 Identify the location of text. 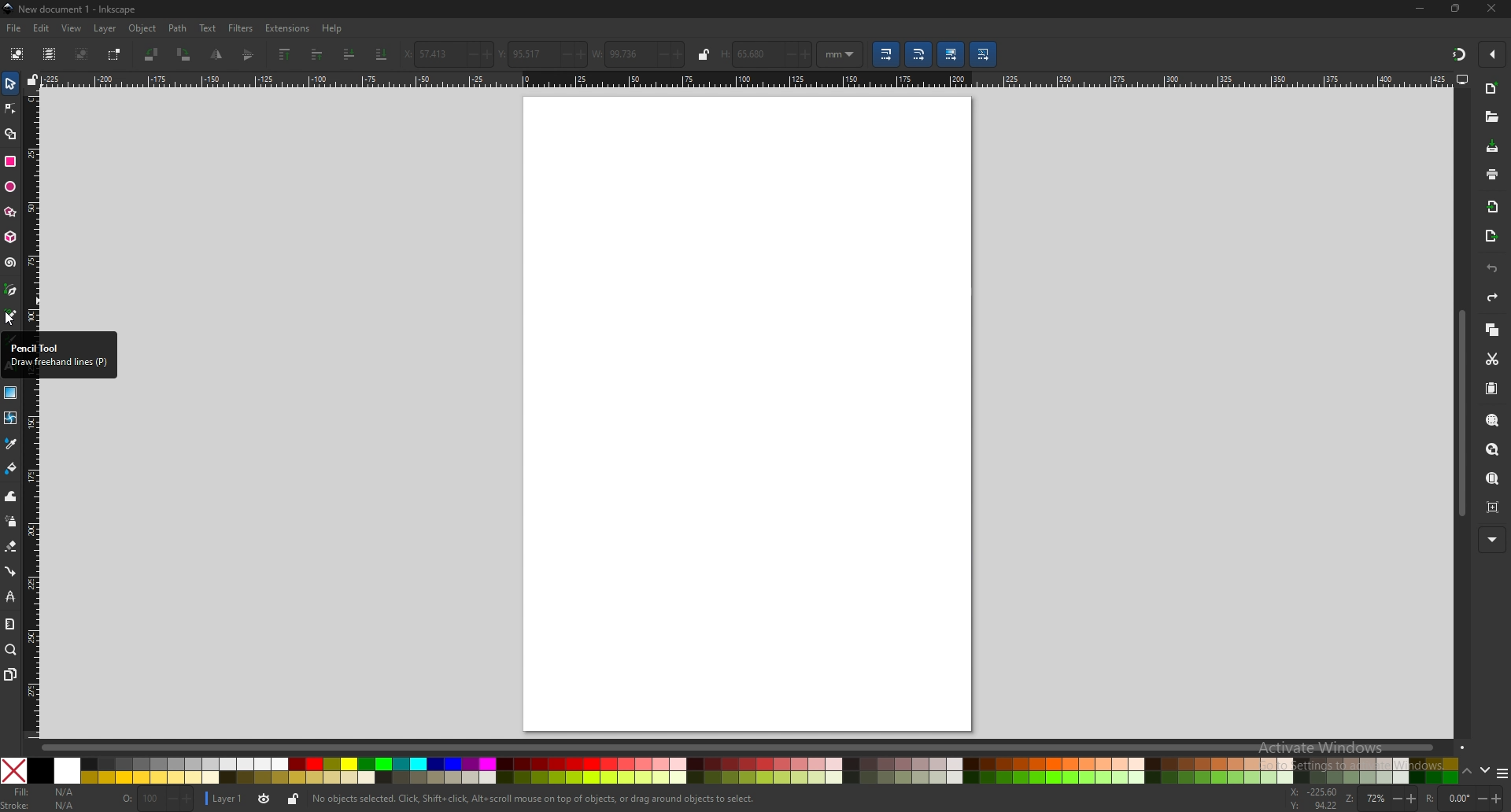
(209, 28).